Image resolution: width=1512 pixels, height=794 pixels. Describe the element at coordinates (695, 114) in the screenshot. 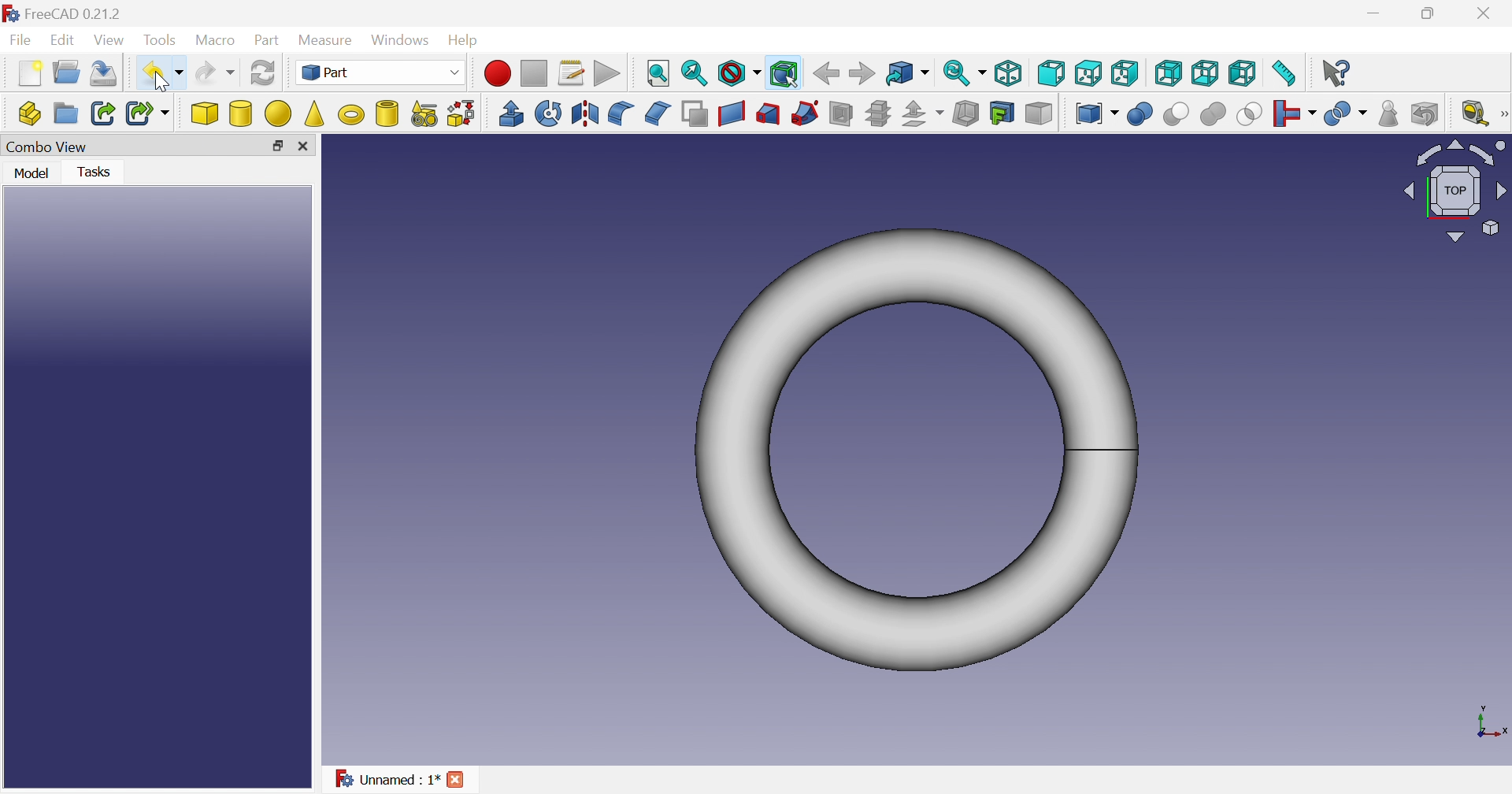

I see `Make face from wires` at that location.